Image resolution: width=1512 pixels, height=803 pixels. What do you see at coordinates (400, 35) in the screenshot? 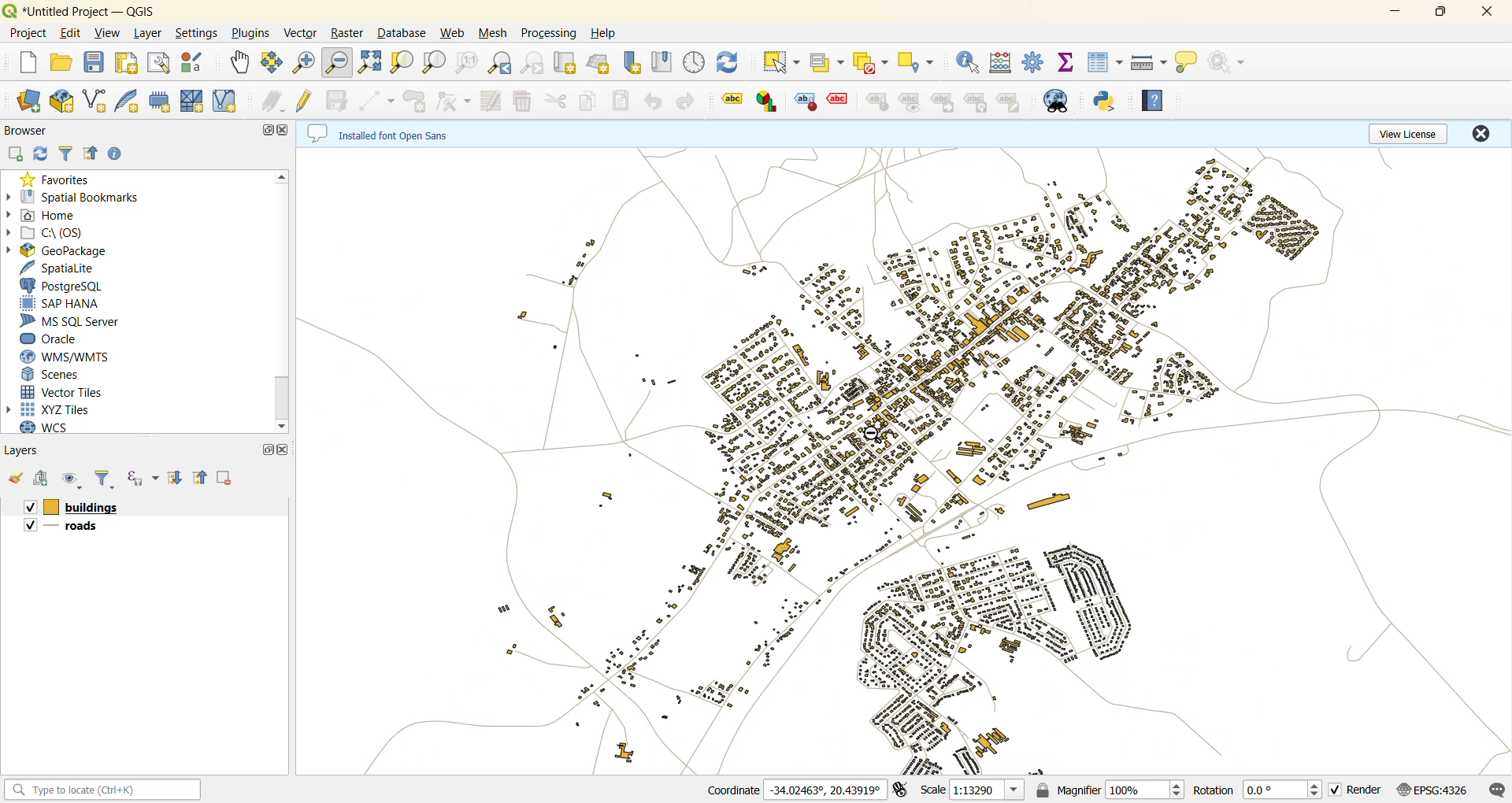
I see `database` at bounding box center [400, 35].